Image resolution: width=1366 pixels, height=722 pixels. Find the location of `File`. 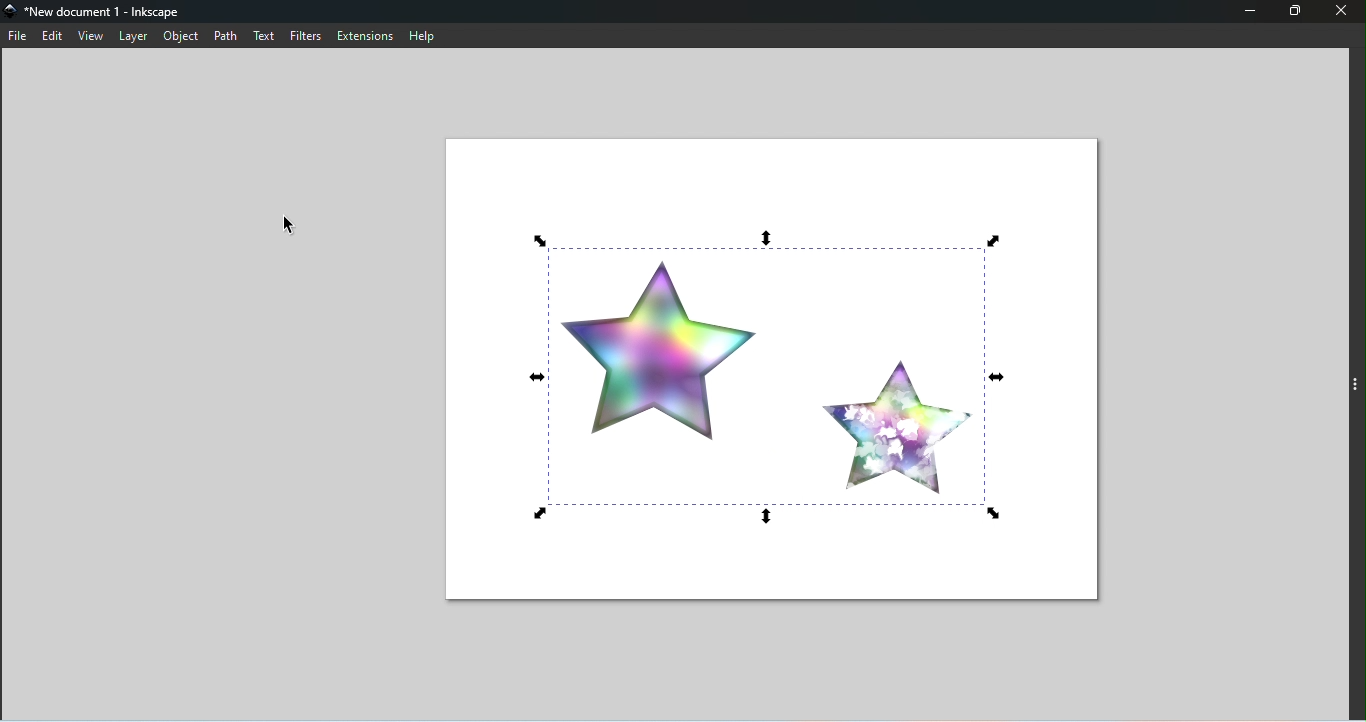

File is located at coordinates (17, 37).